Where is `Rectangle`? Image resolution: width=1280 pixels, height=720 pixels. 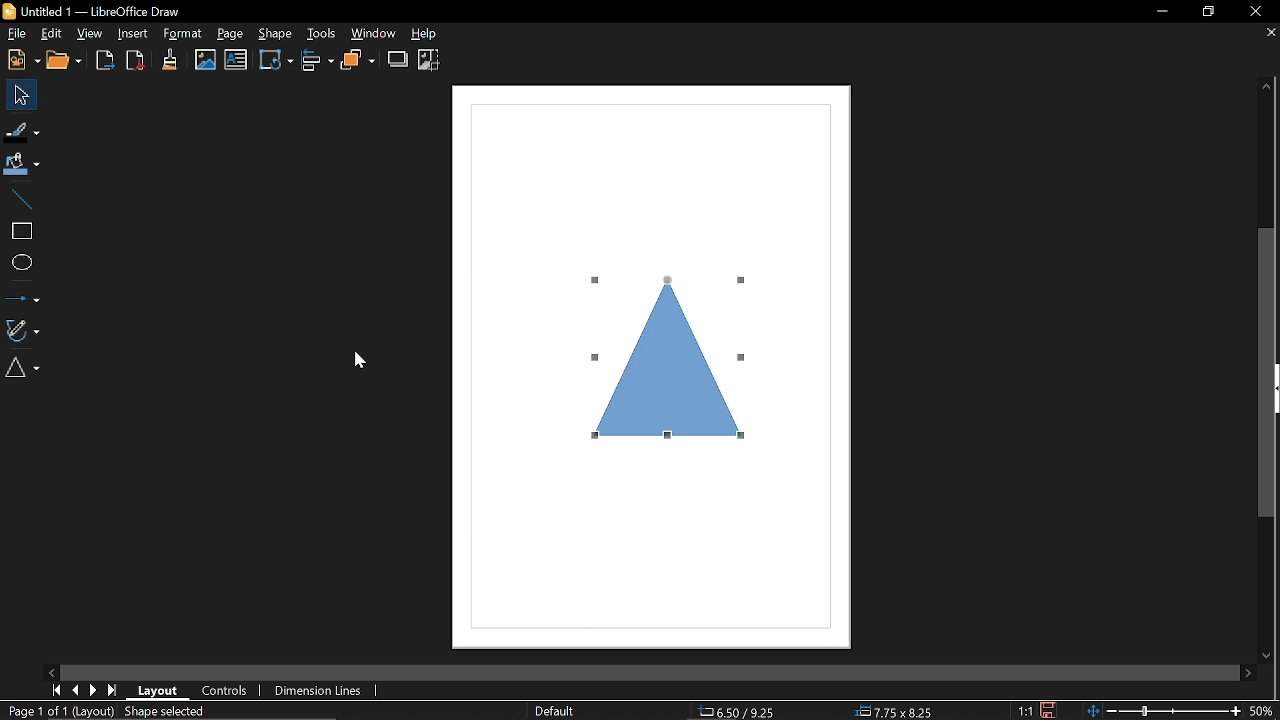 Rectangle is located at coordinates (20, 231).